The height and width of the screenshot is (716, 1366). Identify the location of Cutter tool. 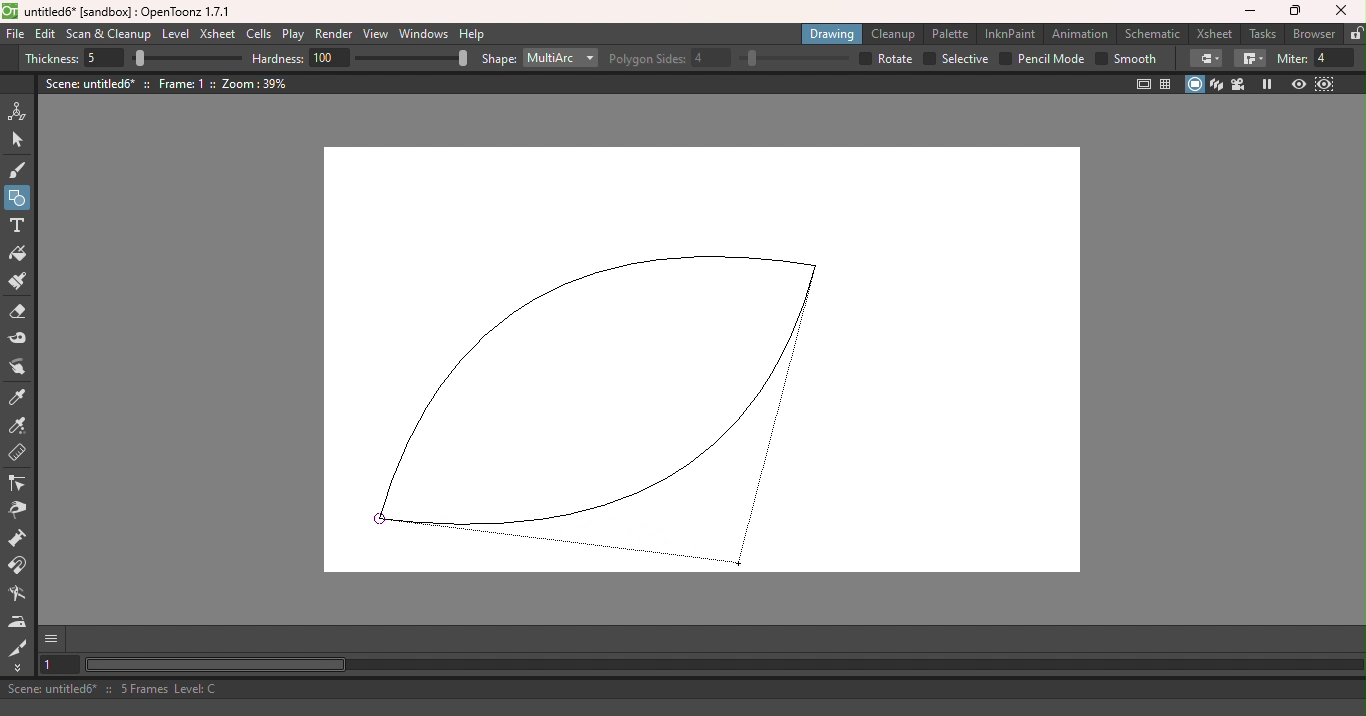
(15, 646).